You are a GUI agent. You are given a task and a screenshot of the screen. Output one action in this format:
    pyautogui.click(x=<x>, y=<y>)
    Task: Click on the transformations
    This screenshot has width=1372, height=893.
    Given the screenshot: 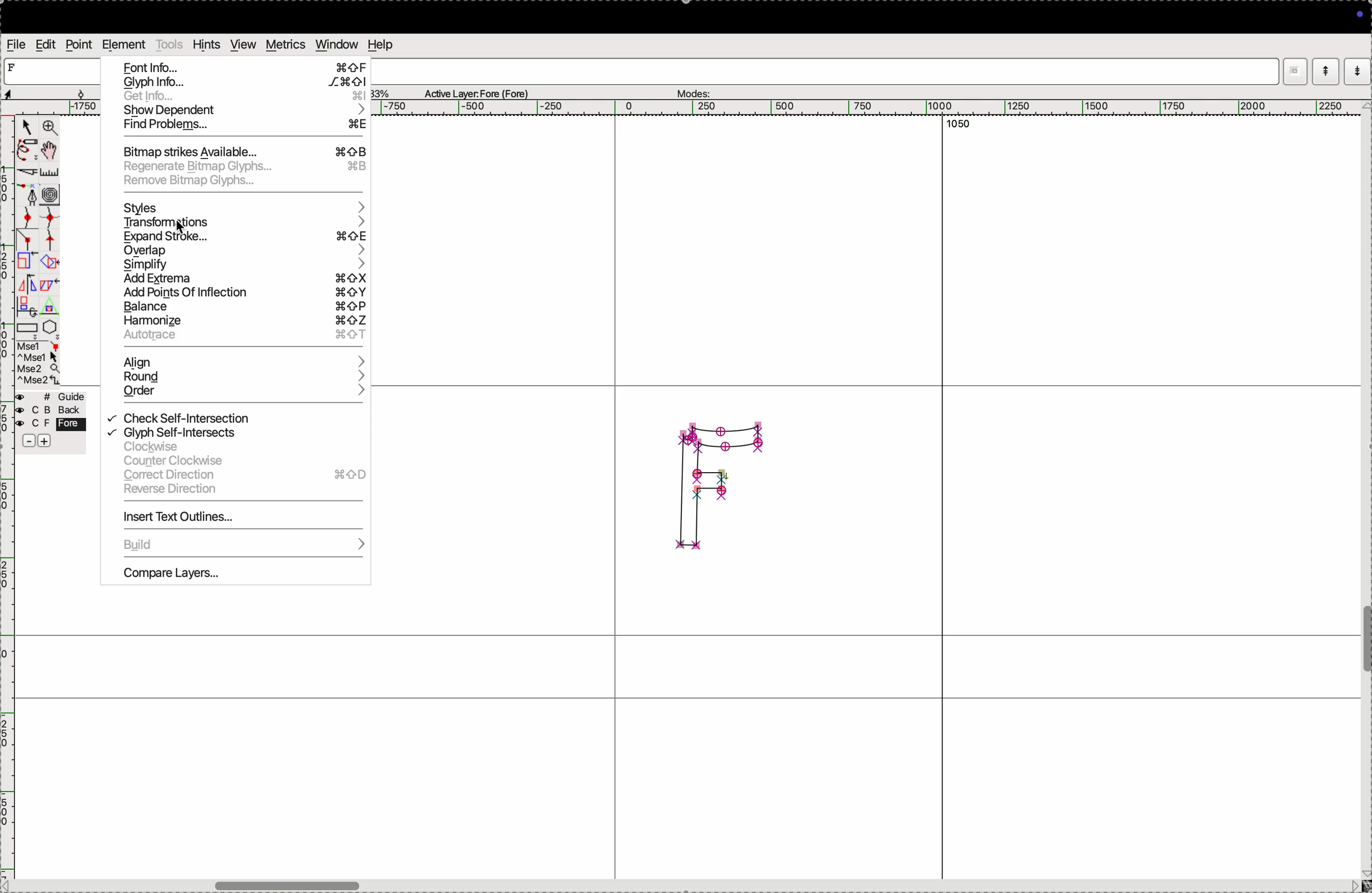 What is the action you would take?
    pyautogui.click(x=246, y=222)
    